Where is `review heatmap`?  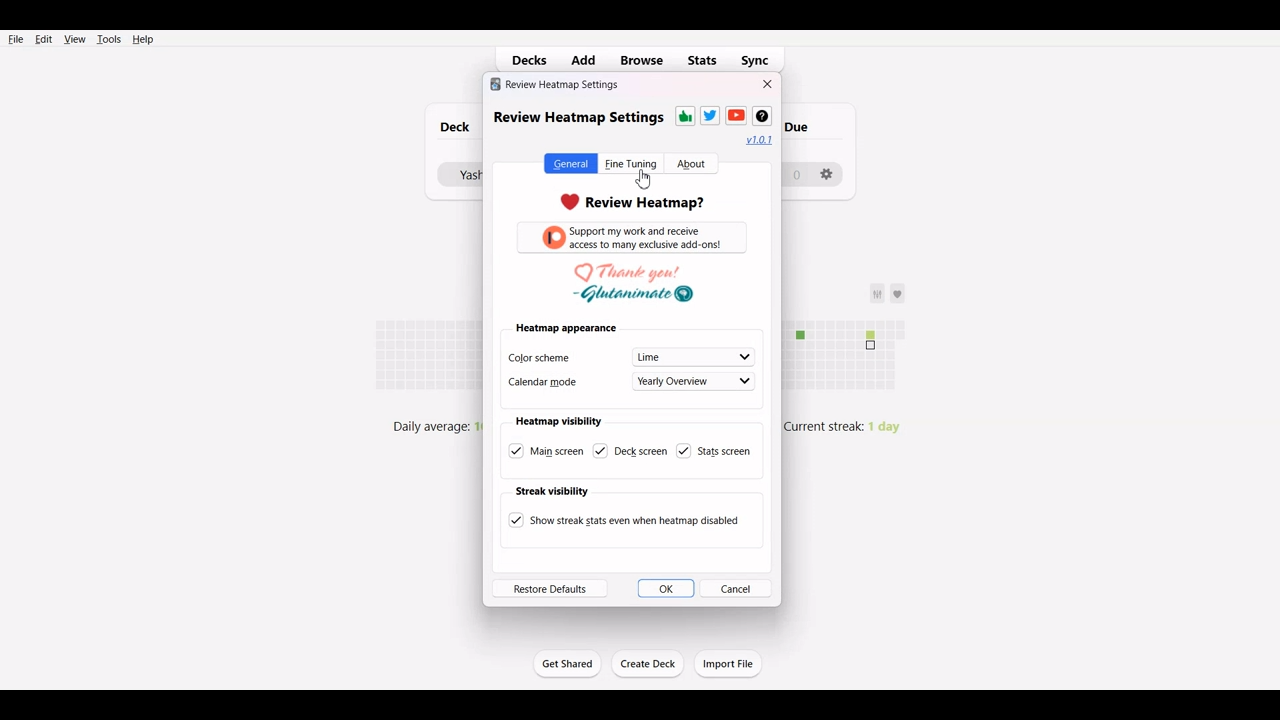 review heatmap is located at coordinates (633, 200).